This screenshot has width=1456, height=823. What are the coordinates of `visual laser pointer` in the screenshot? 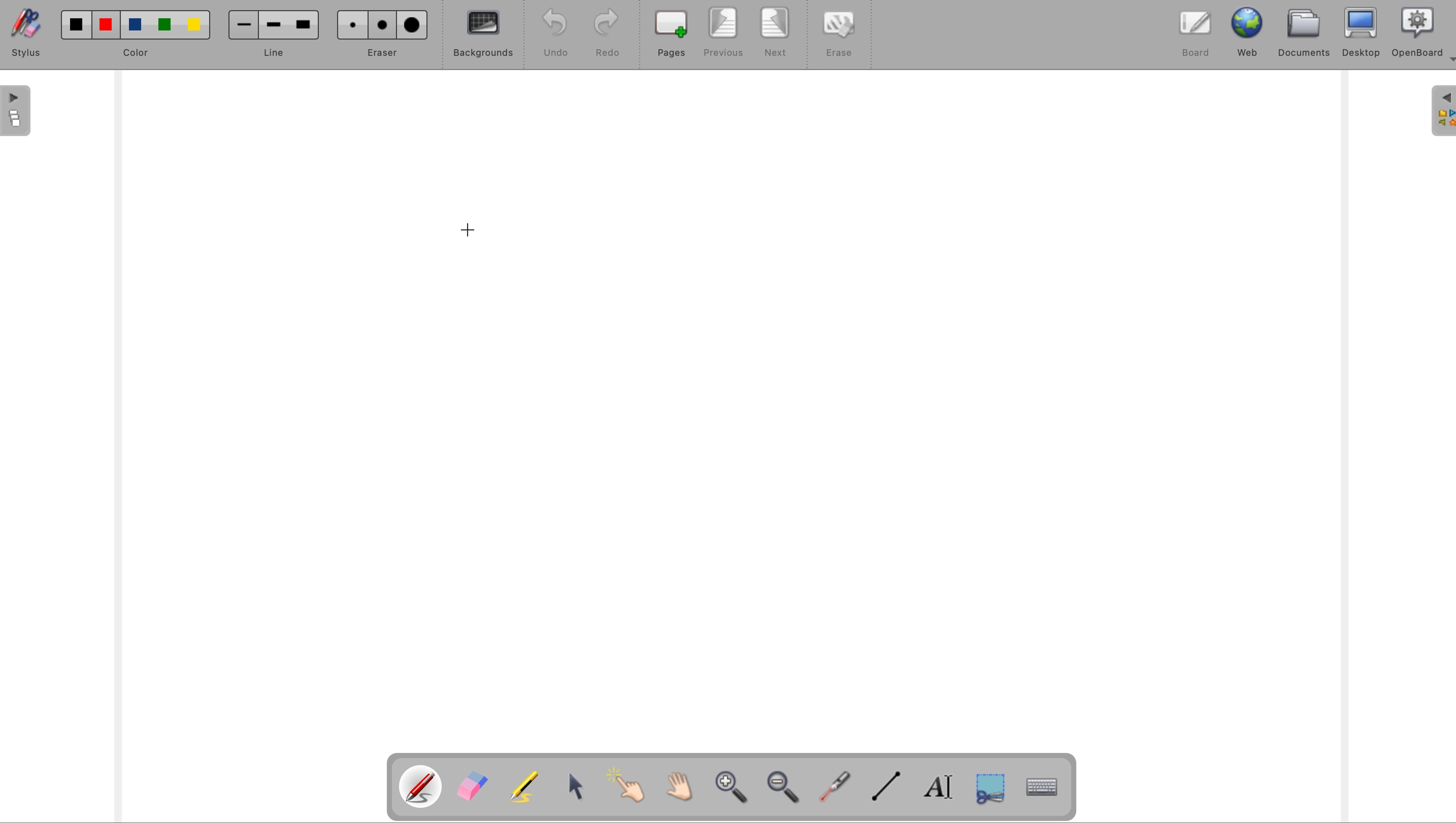 It's located at (836, 789).